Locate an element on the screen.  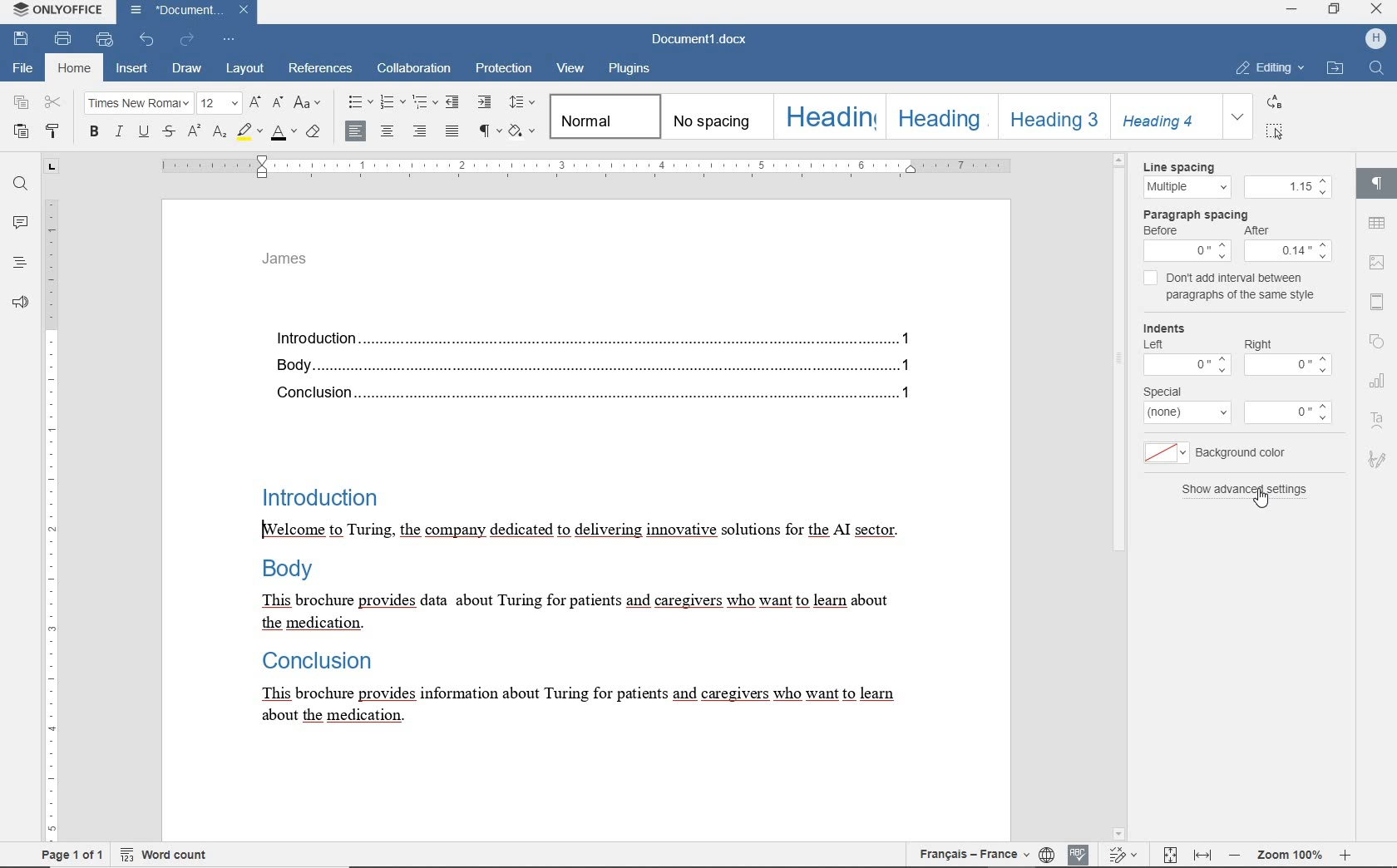
subscript is located at coordinates (220, 134).